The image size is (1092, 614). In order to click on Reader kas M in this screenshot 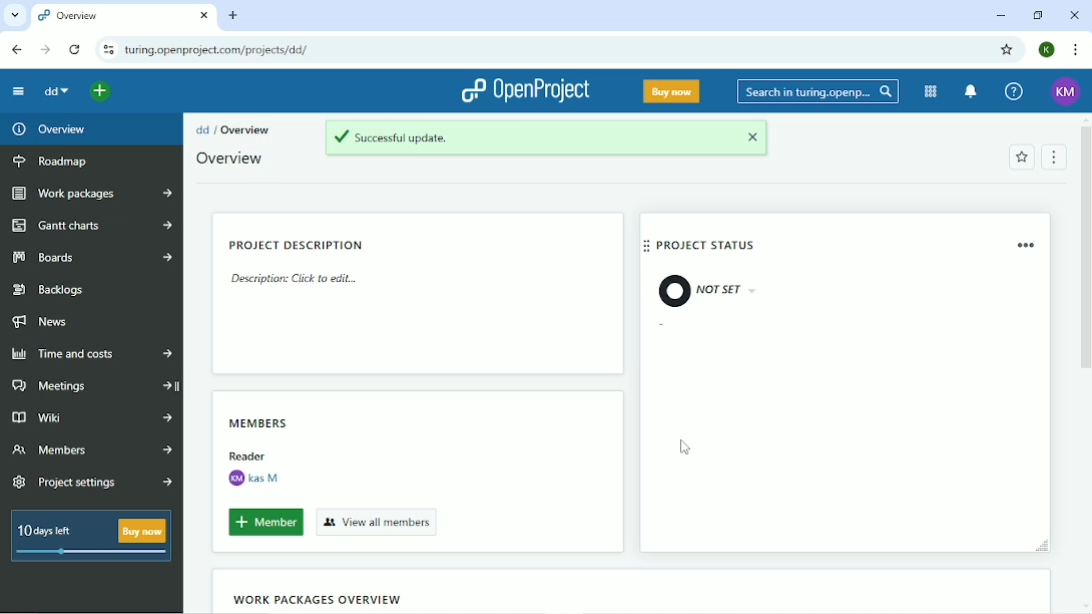, I will do `click(253, 468)`.